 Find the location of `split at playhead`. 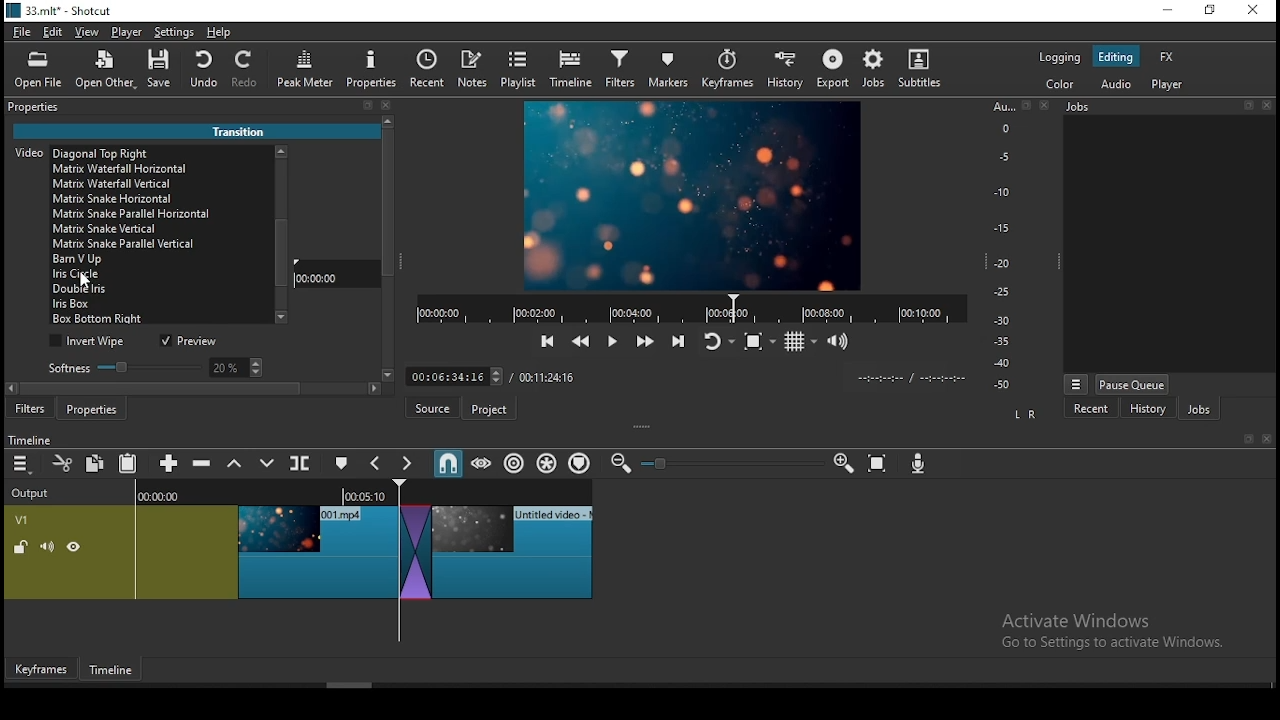

split at playhead is located at coordinates (302, 465).